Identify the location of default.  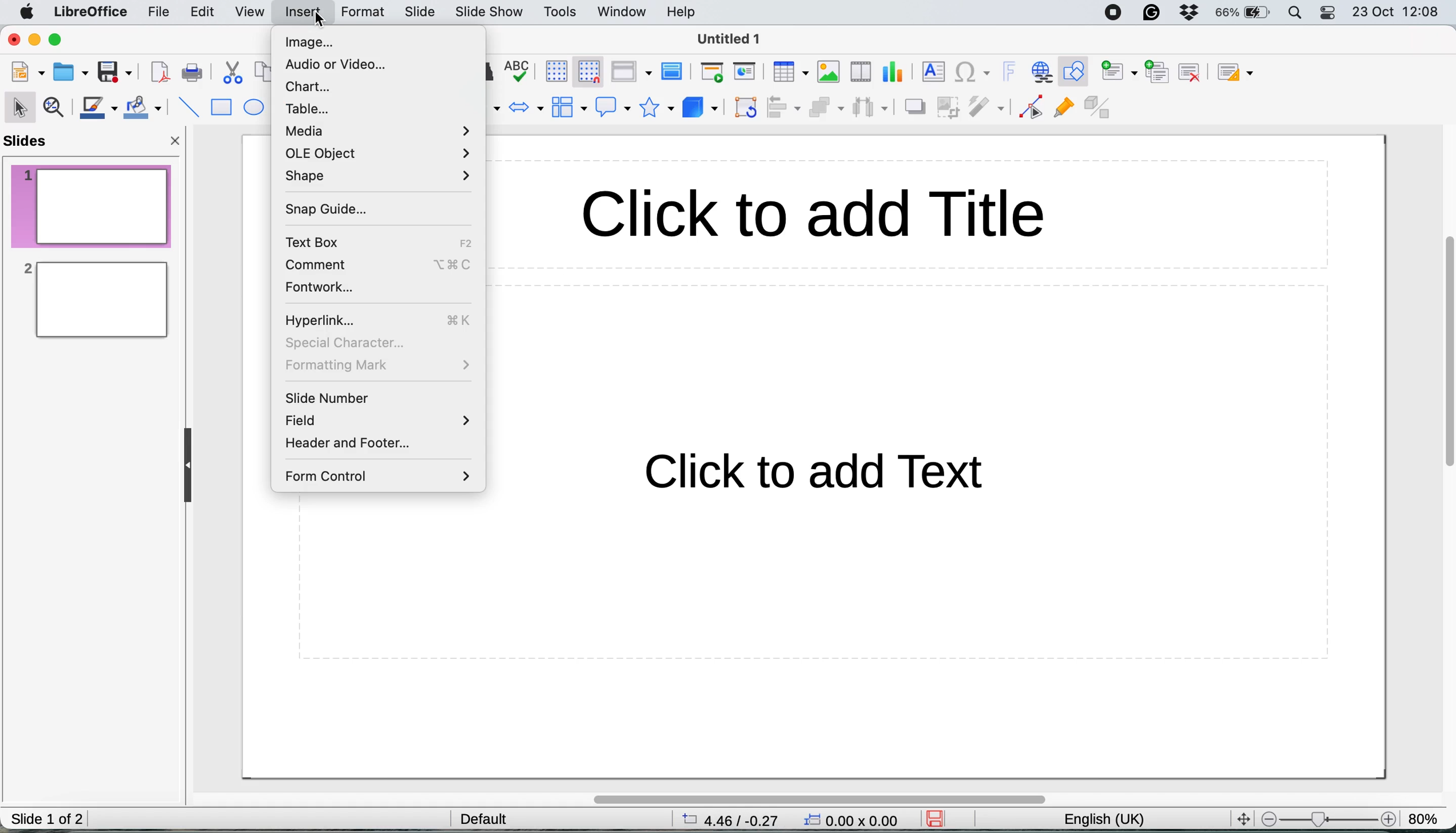
(489, 818).